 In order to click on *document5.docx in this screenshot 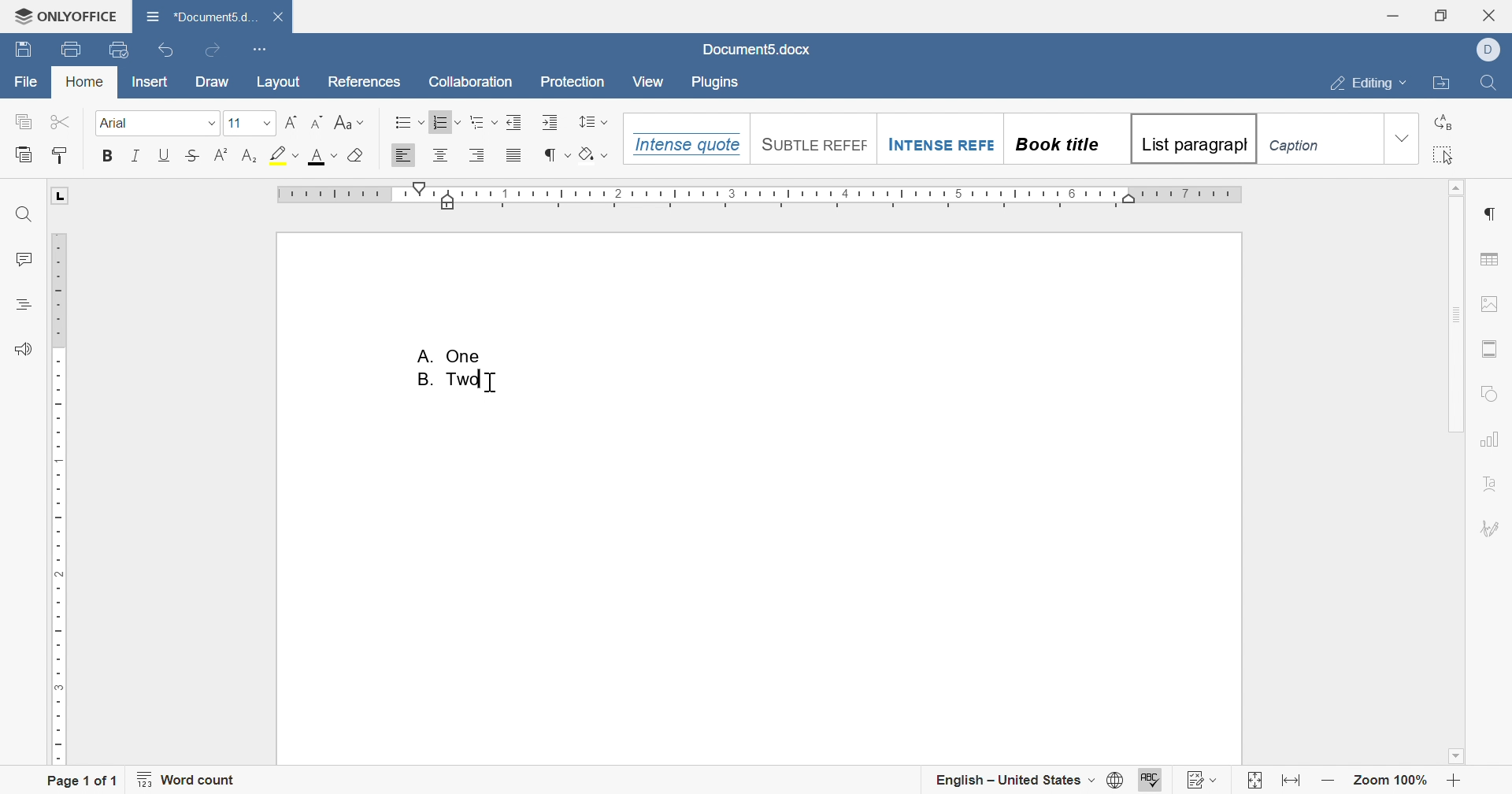, I will do `click(203, 16)`.